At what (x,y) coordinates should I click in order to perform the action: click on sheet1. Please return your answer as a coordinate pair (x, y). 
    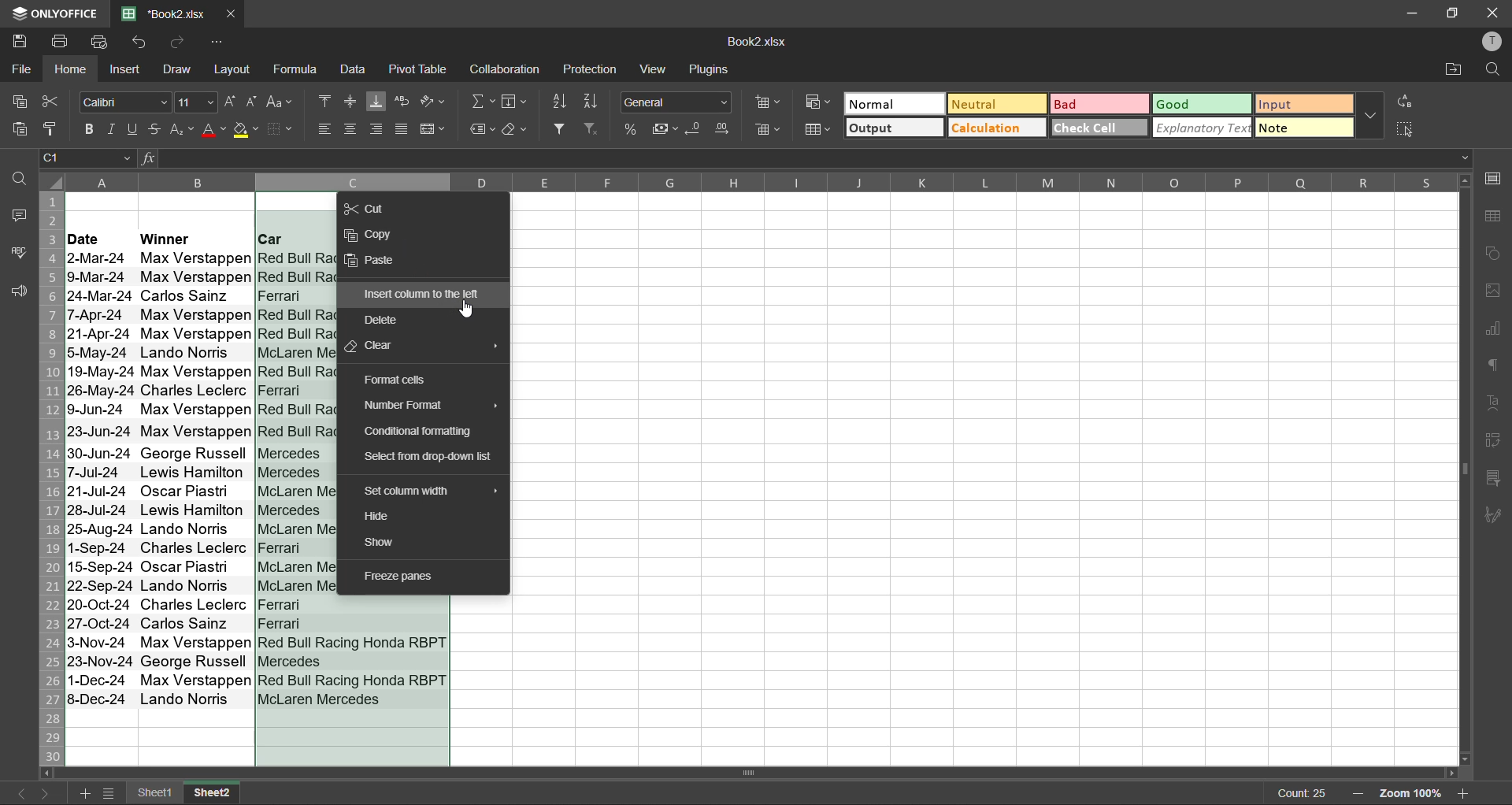
    Looking at the image, I should click on (154, 793).